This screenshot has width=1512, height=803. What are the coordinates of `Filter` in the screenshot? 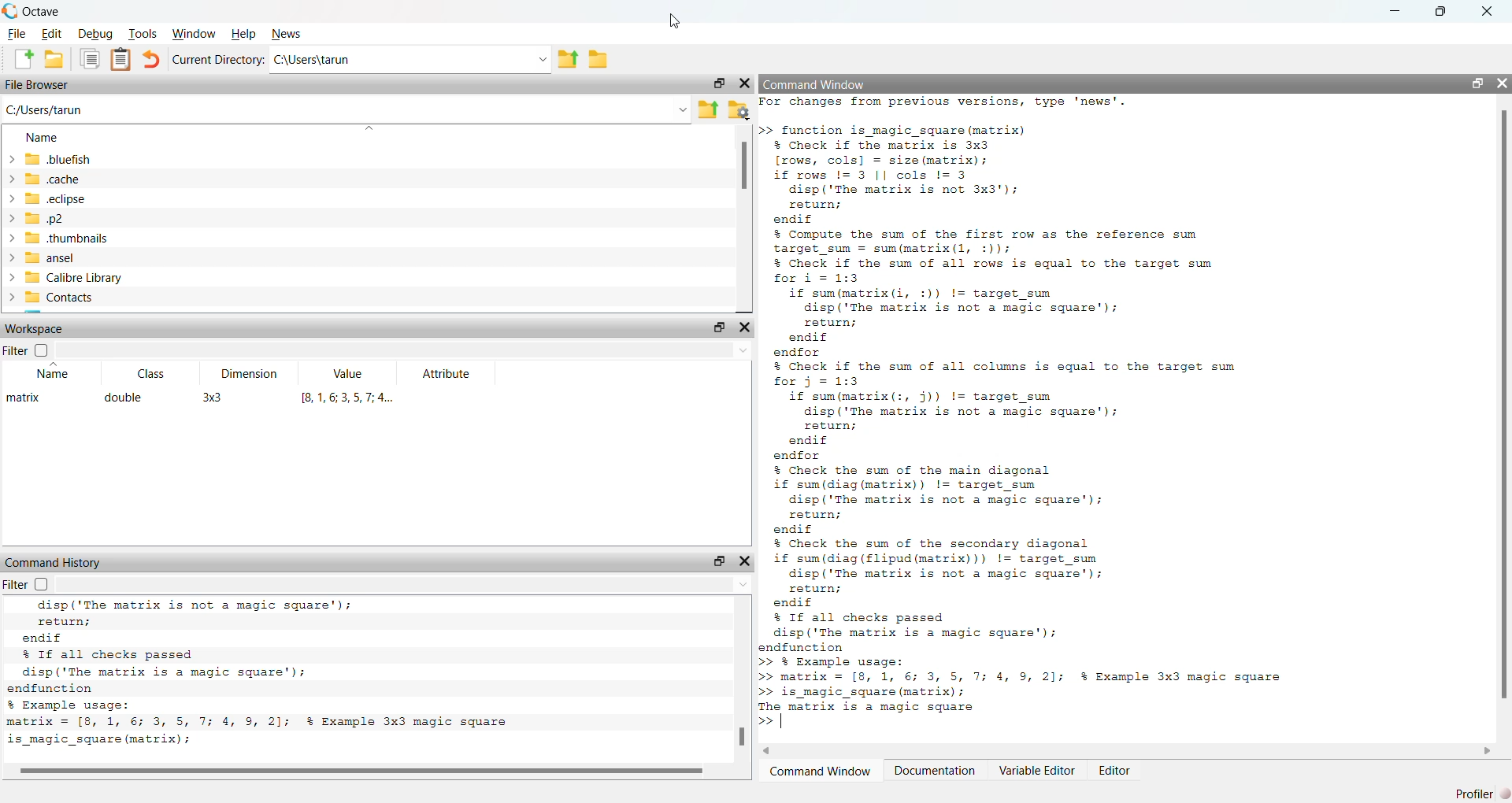 It's located at (25, 350).